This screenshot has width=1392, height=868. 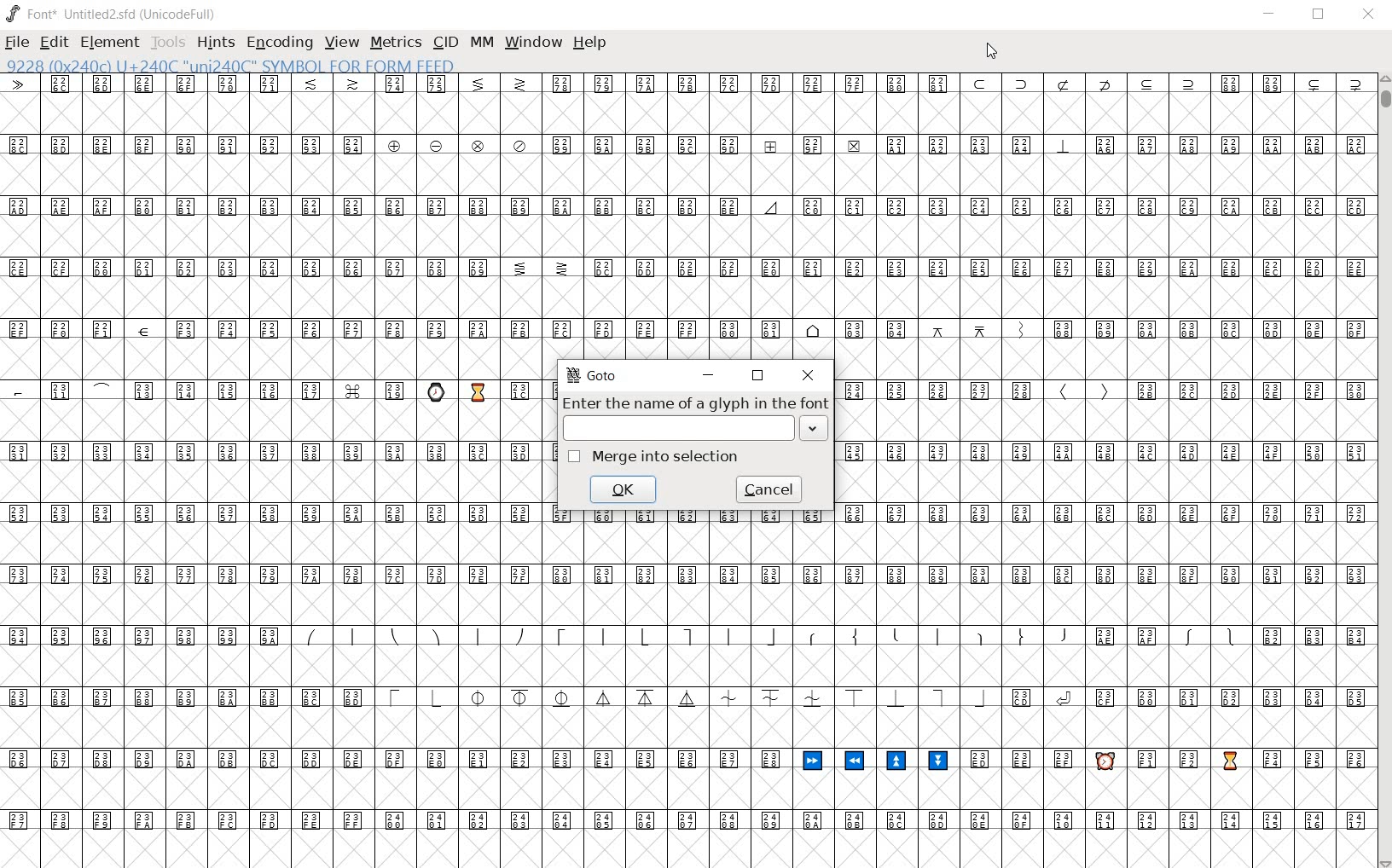 What do you see at coordinates (230, 65) in the screenshot?
I see `glyph name` at bounding box center [230, 65].